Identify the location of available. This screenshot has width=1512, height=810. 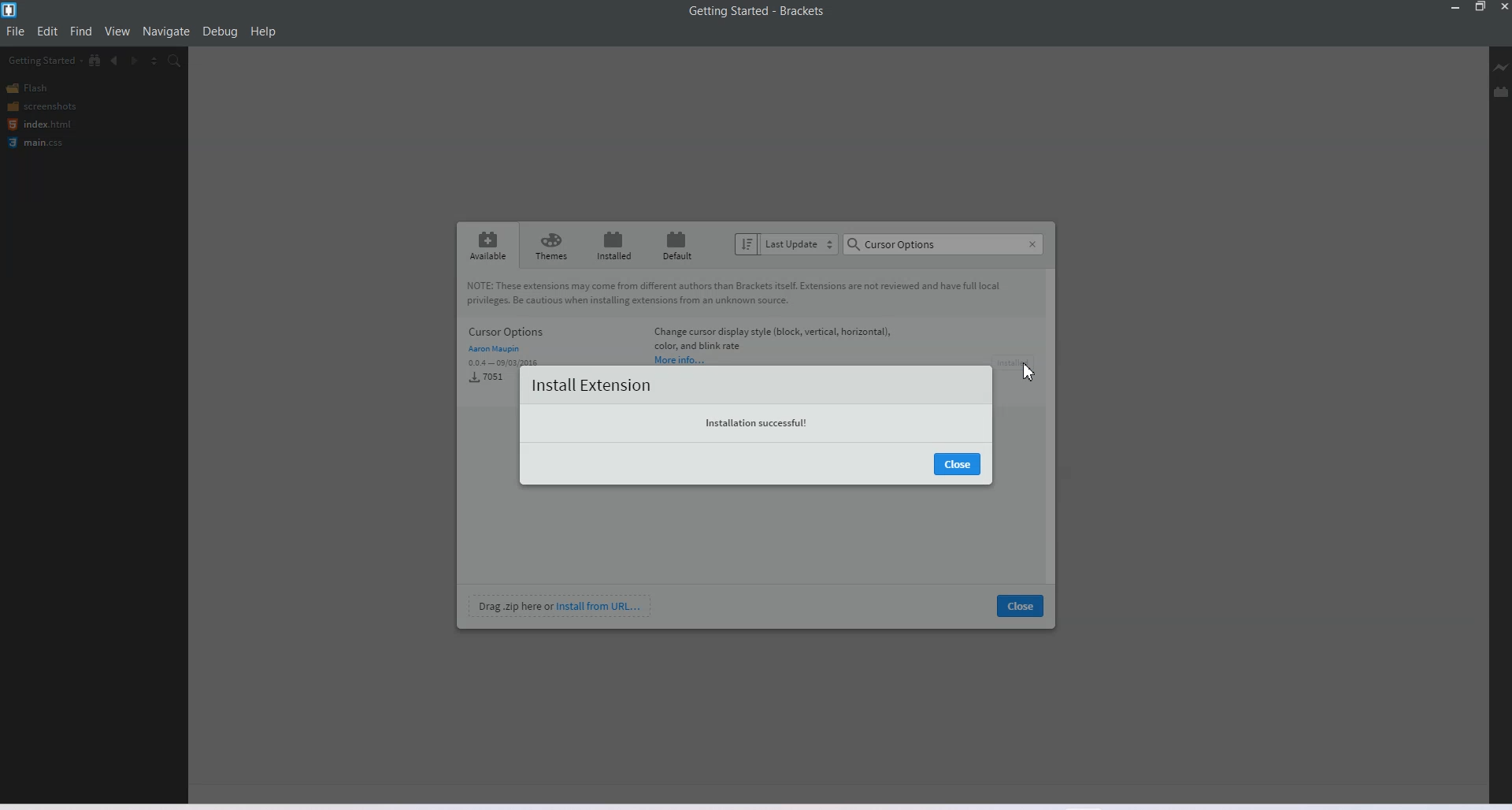
(488, 243).